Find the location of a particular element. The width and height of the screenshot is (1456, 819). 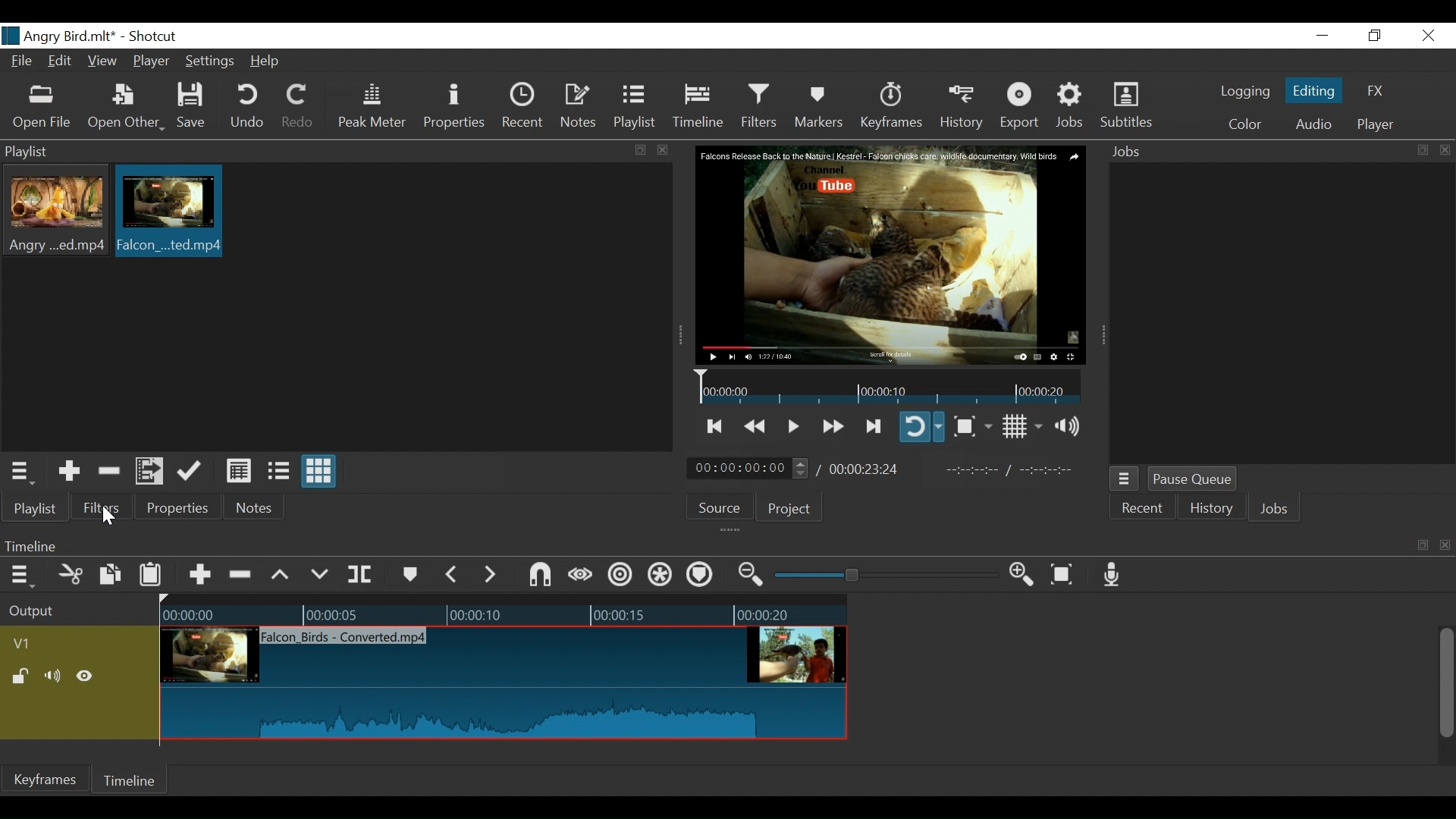

Split at playhead is located at coordinates (360, 575).